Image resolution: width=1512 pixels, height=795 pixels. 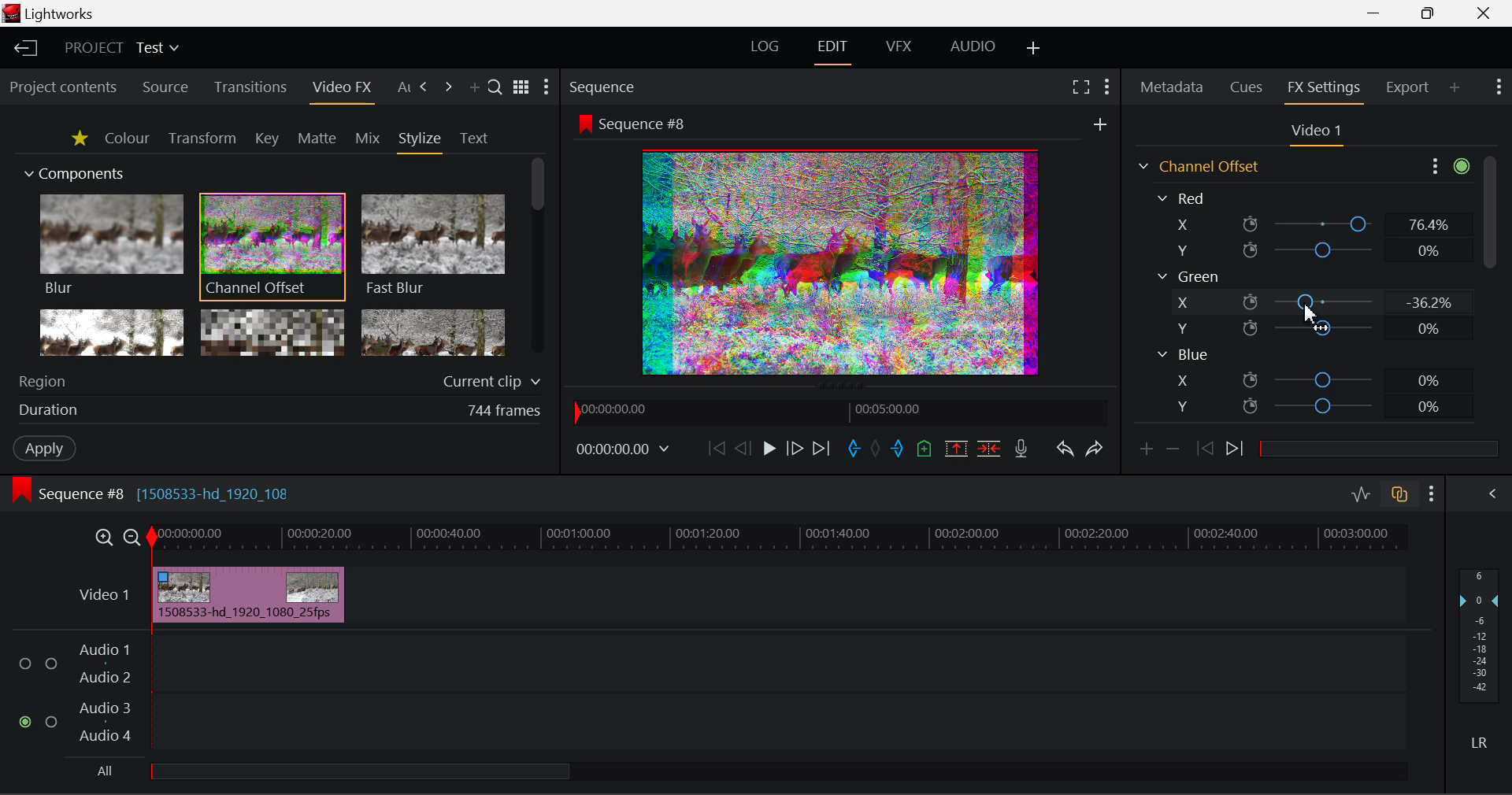 I want to click on Effect Applied, so click(x=250, y=592).